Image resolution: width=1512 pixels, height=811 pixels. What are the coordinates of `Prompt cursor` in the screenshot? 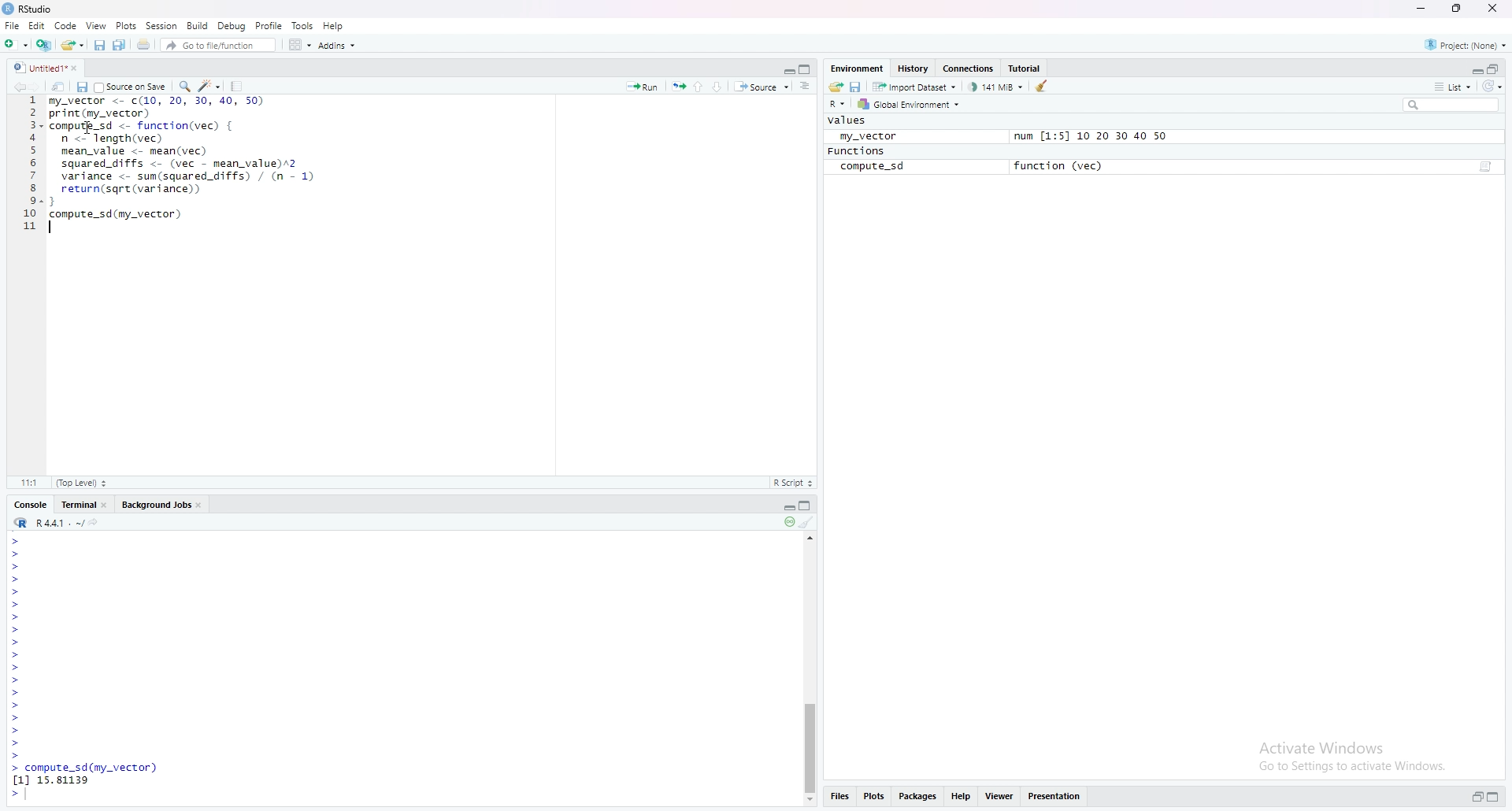 It's located at (14, 743).